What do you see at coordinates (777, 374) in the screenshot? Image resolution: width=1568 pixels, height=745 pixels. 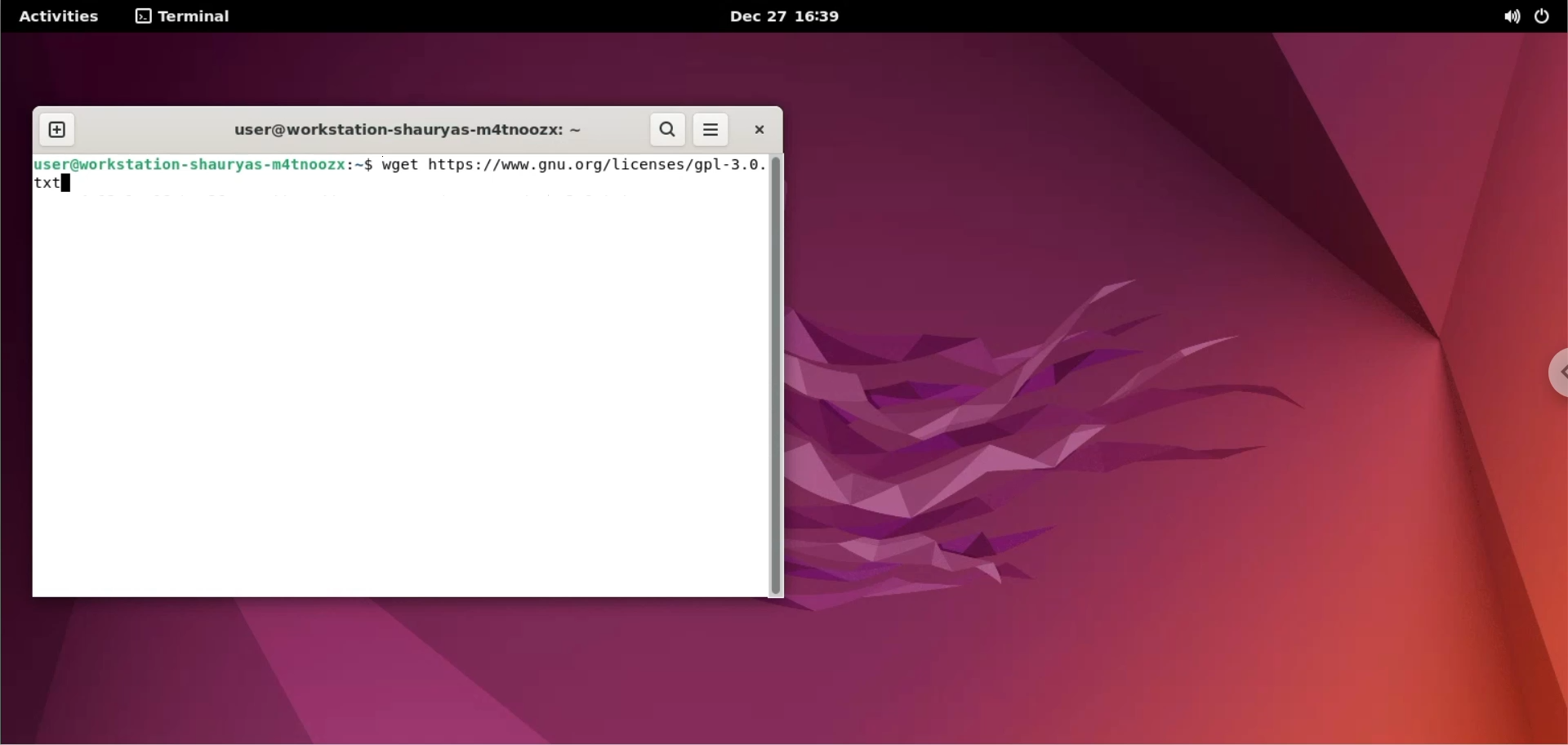 I see `scroll bar` at bounding box center [777, 374].